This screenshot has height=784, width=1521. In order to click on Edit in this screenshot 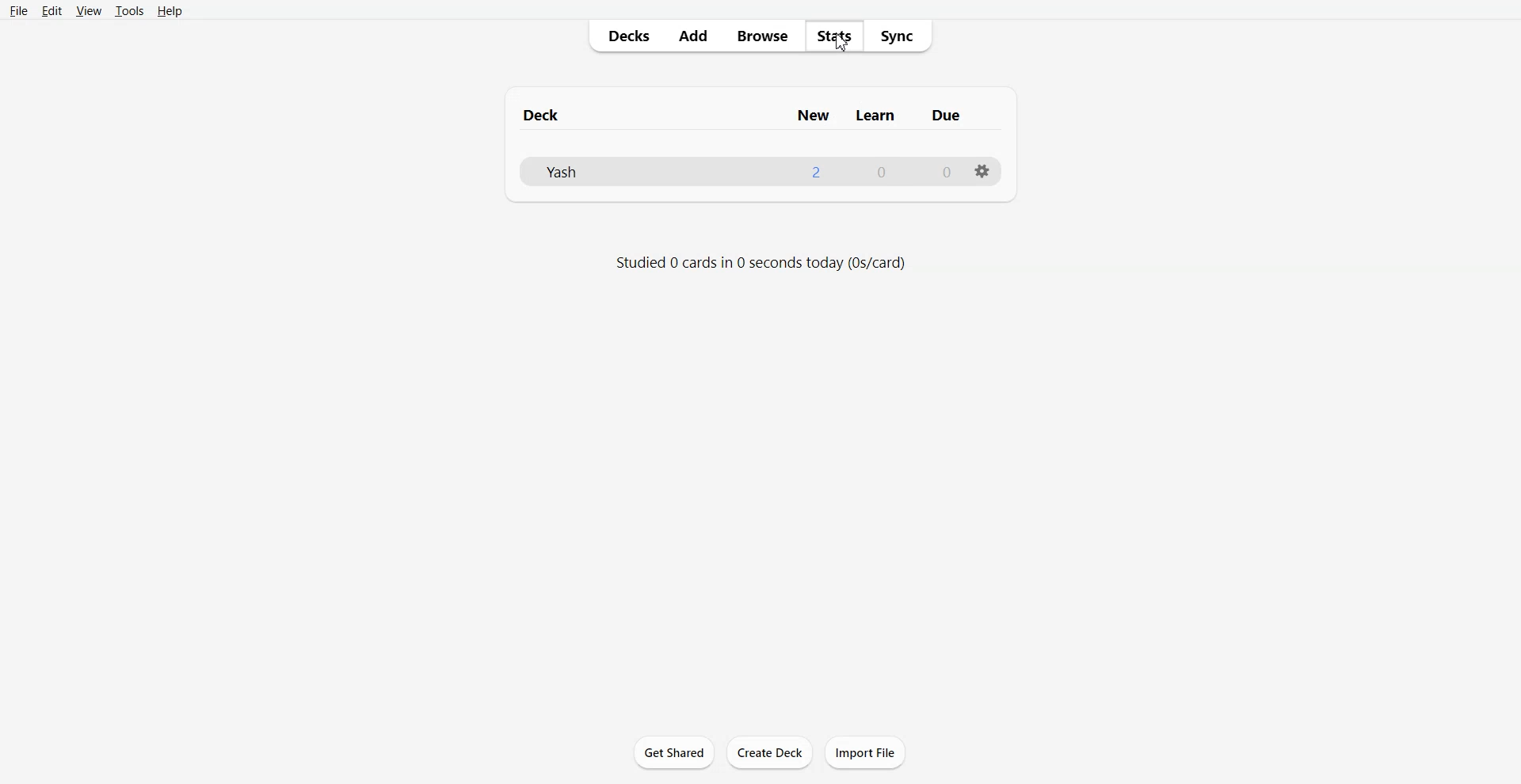, I will do `click(51, 11)`.